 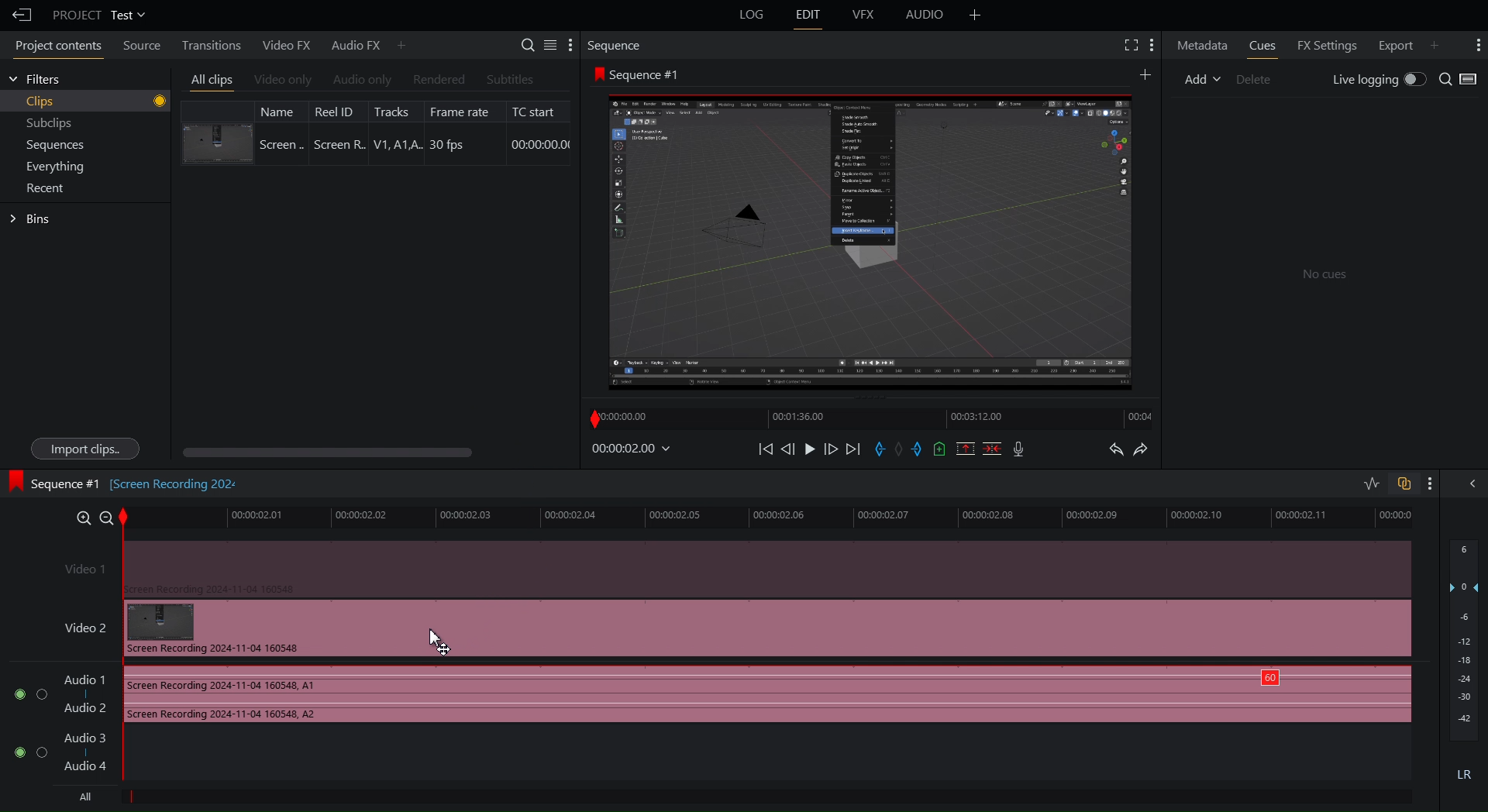 What do you see at coordinates (54, 48) in the screenshot?
I see `Project contents` at bounding box center [54, 48].